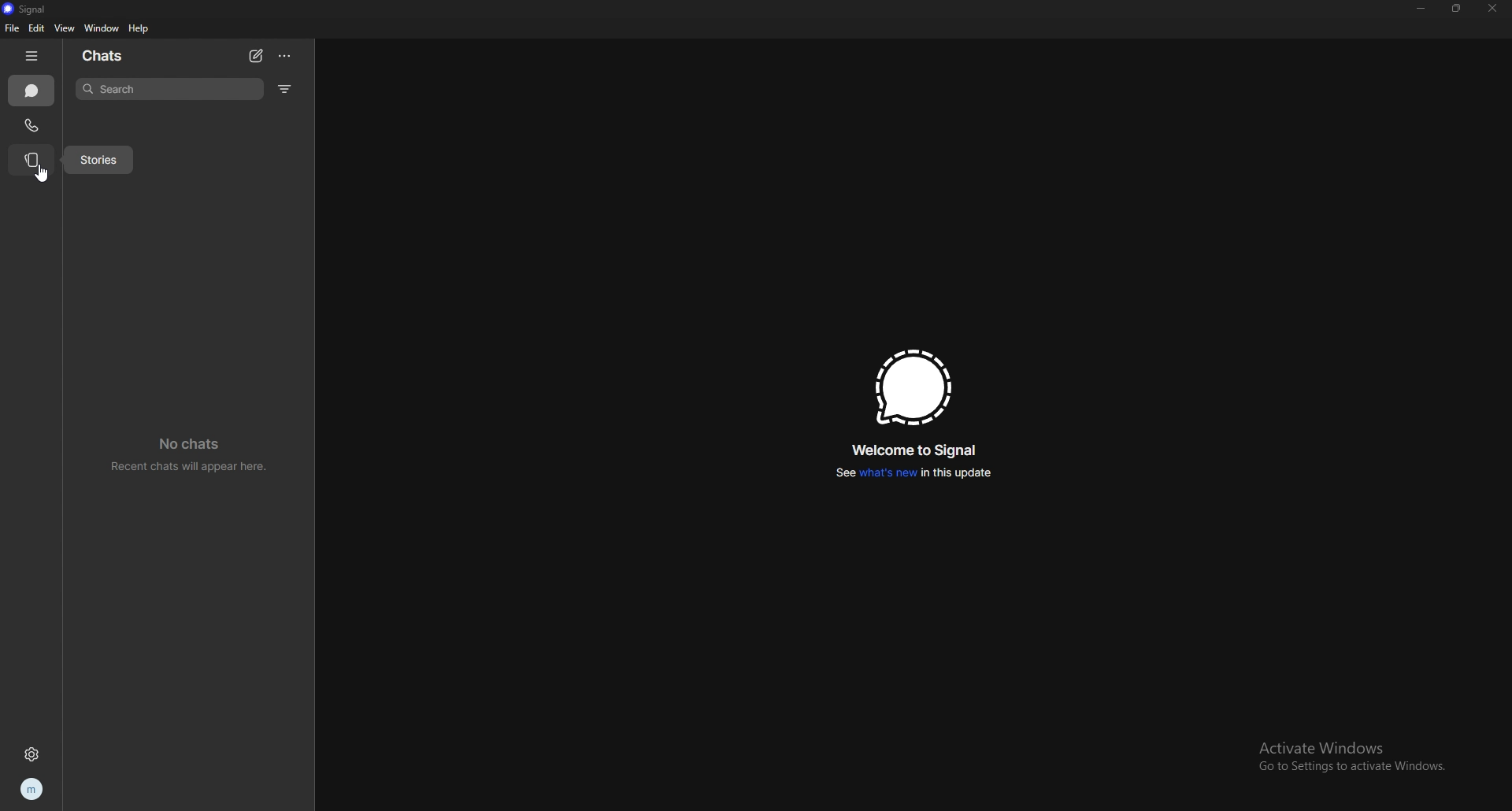 The image size is (1512, 811). Describe the element at coordinates (1421, 9) in the screenshot. I see `minimize` at that location.